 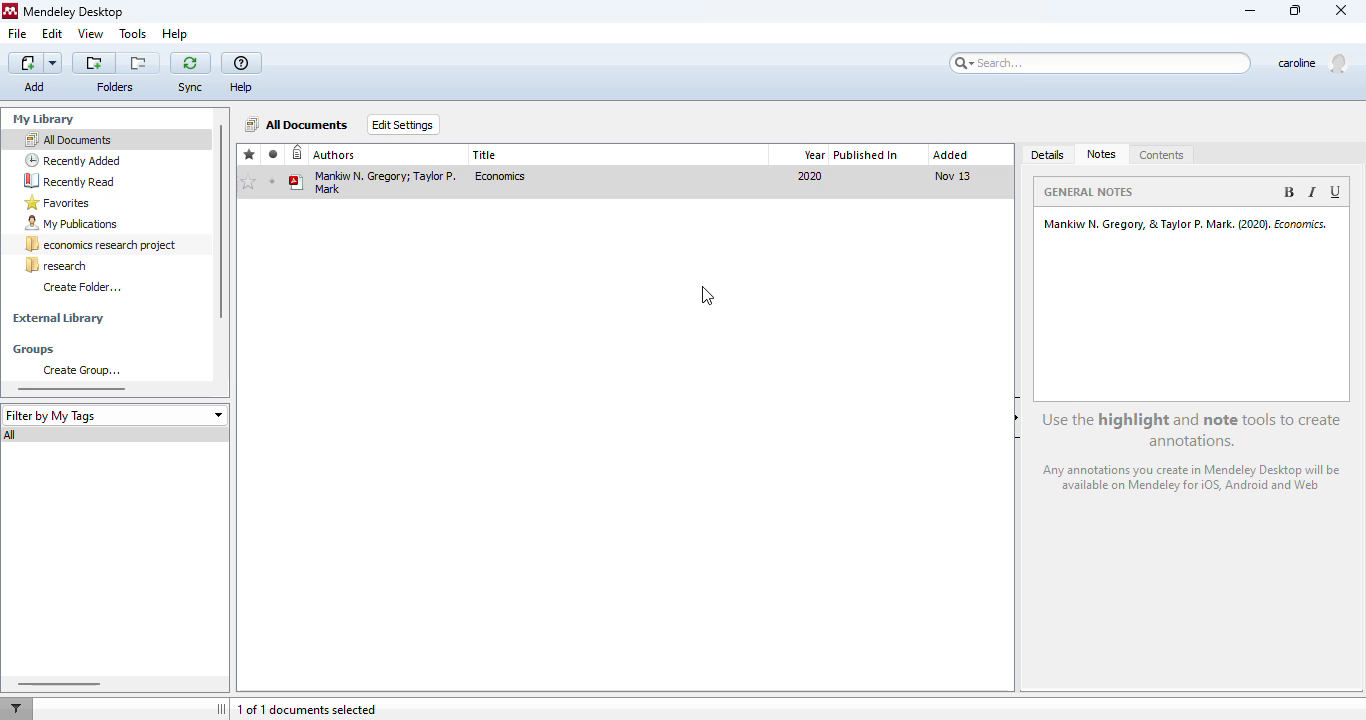 I want to click on minimize, so click(x=1251, y=12).